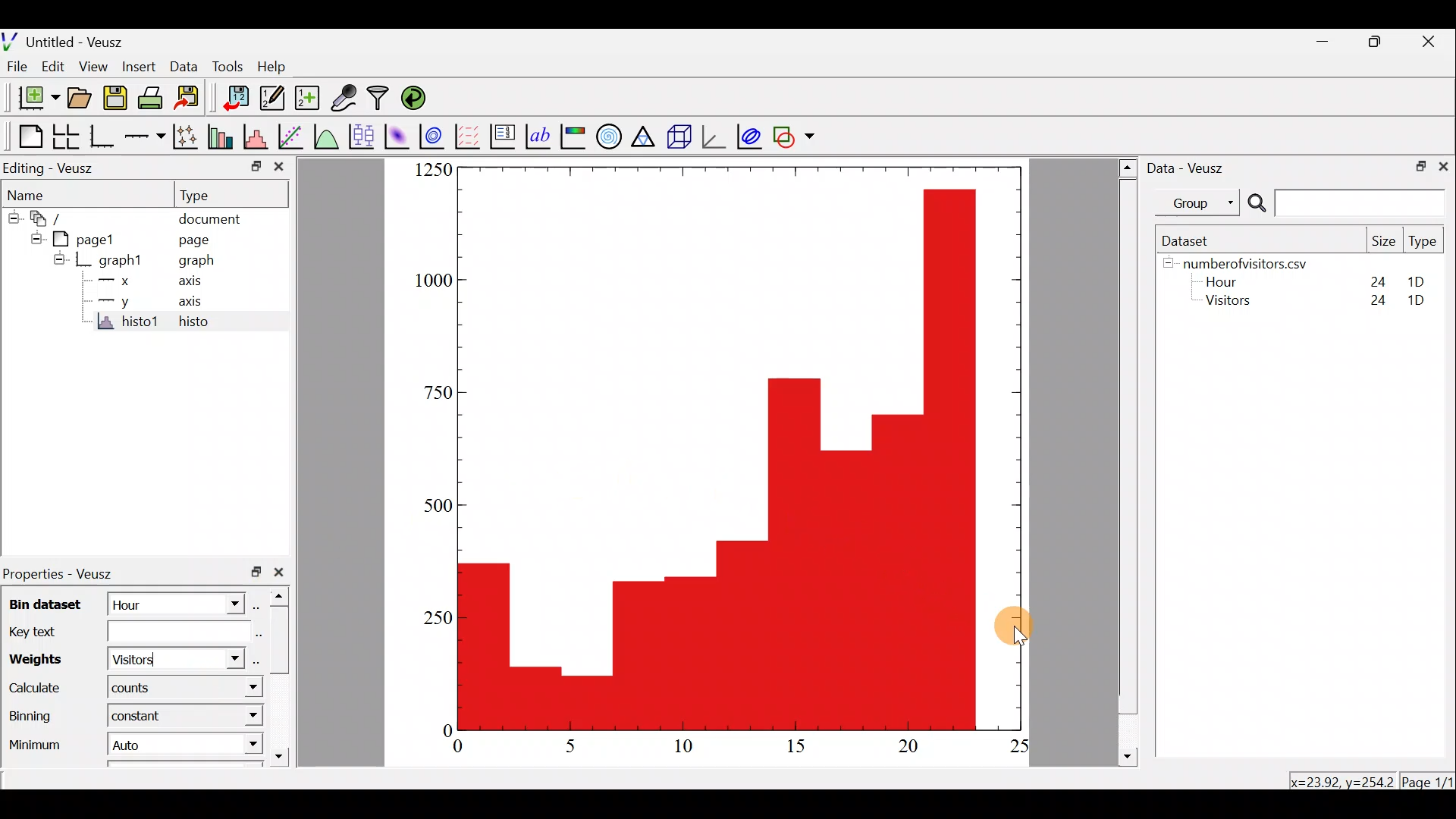  I want to click on Search bar, so click(1346, 203).